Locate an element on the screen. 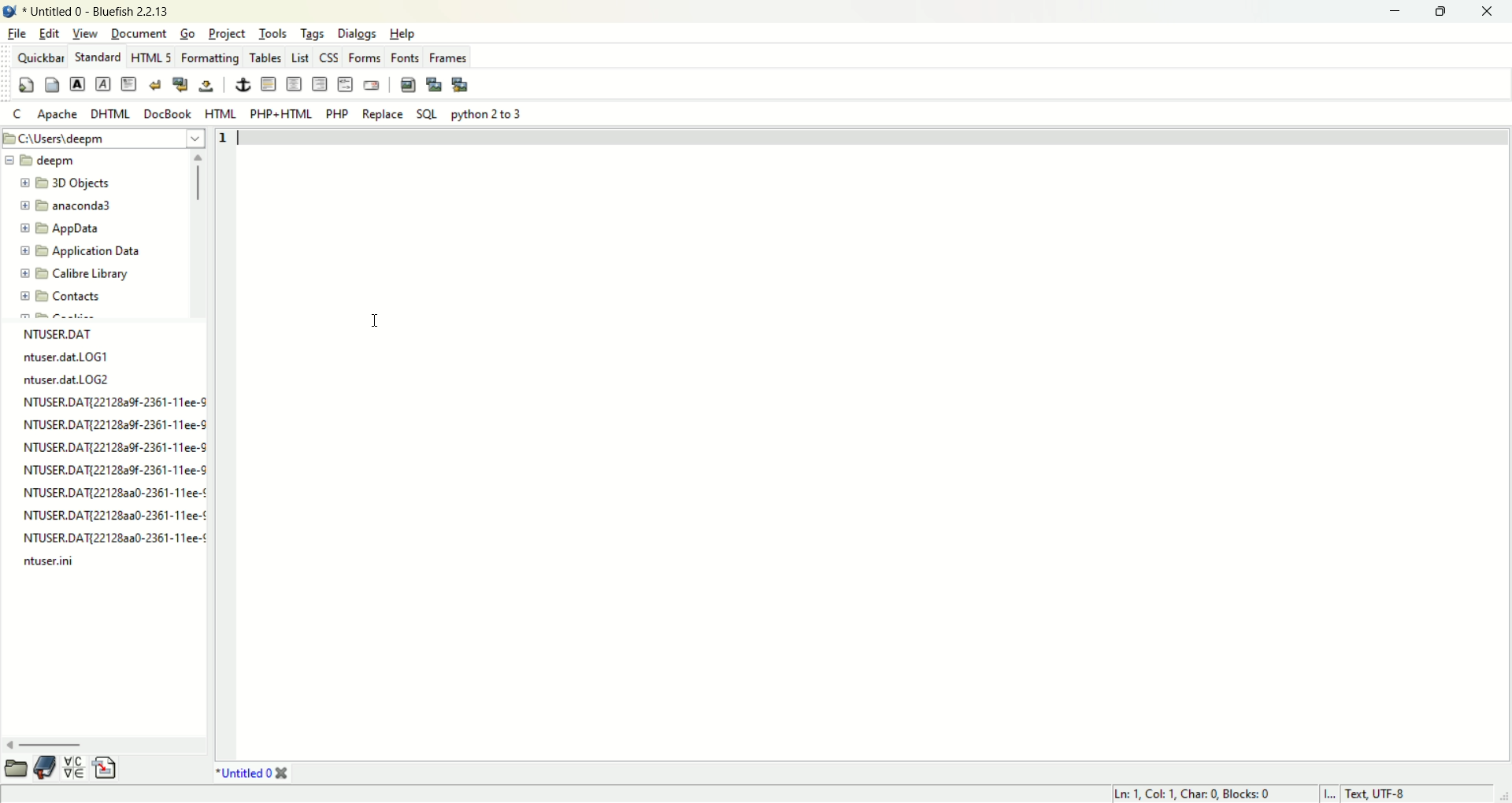 The height and width of the screenshot is (803, 1512). quick start is located at coordinates (27, 85).